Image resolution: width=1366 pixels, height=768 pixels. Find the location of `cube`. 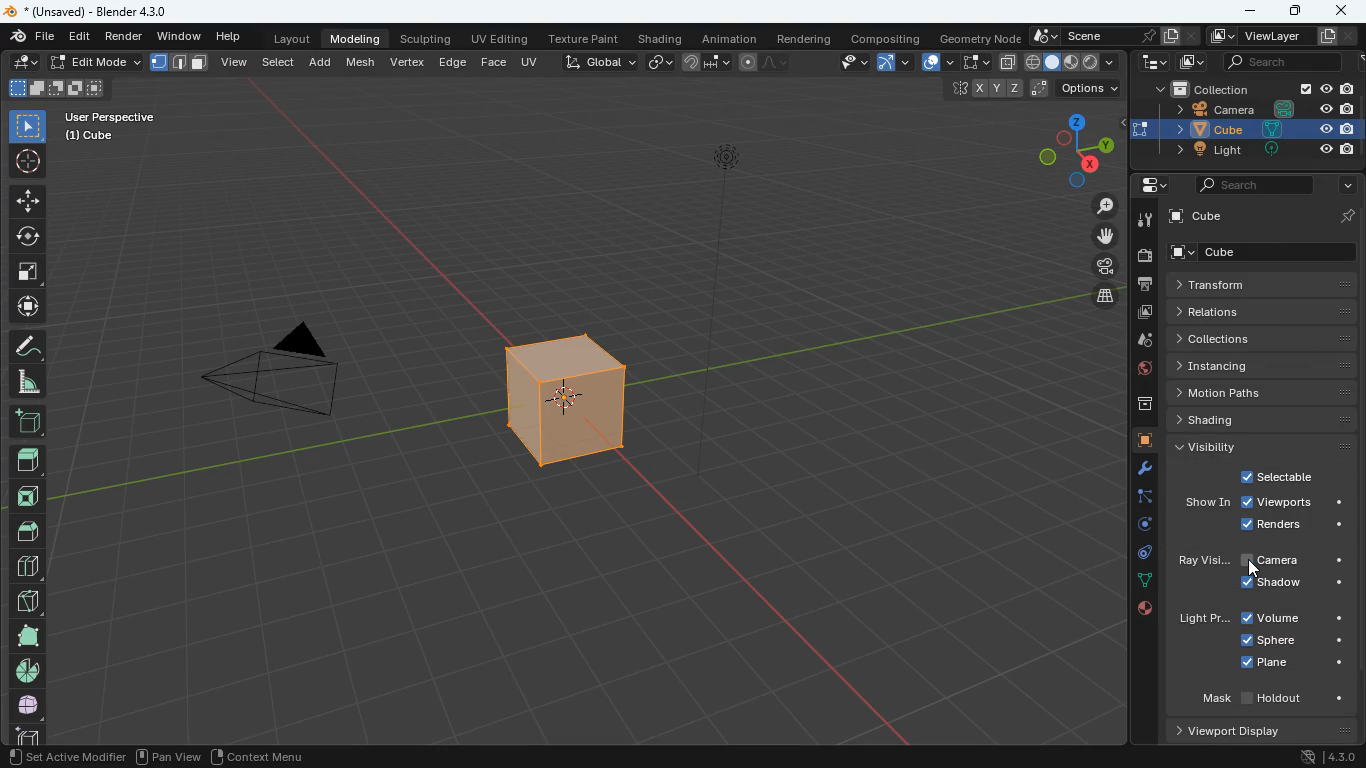

cube is located at coordinates (1268, 252).